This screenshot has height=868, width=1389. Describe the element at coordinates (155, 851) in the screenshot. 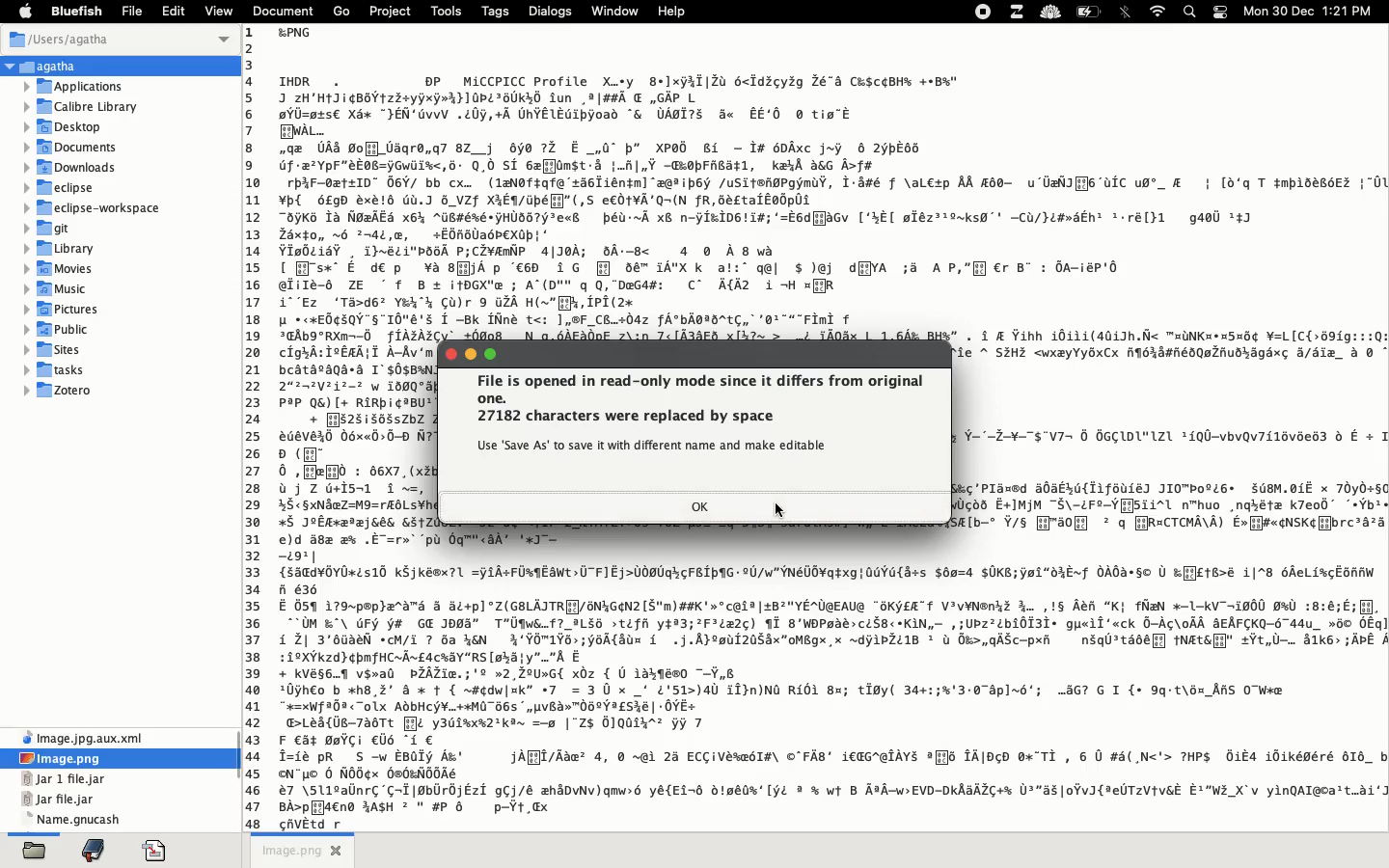

I see `code` at that location.